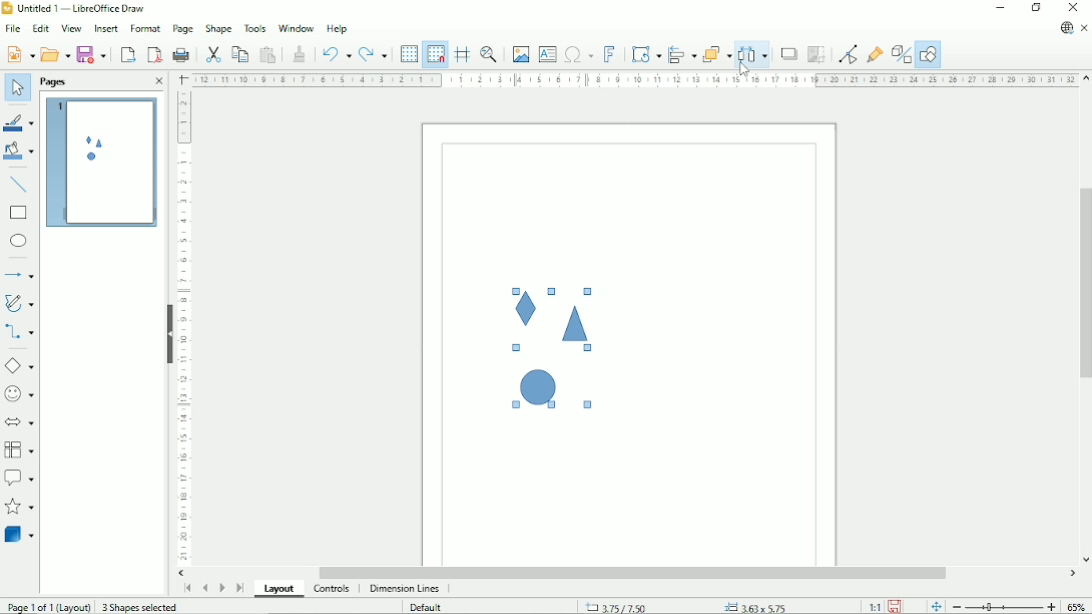  Describe the element at coordinates (18, 120) in the screenshot. I see `Line color` at that location.